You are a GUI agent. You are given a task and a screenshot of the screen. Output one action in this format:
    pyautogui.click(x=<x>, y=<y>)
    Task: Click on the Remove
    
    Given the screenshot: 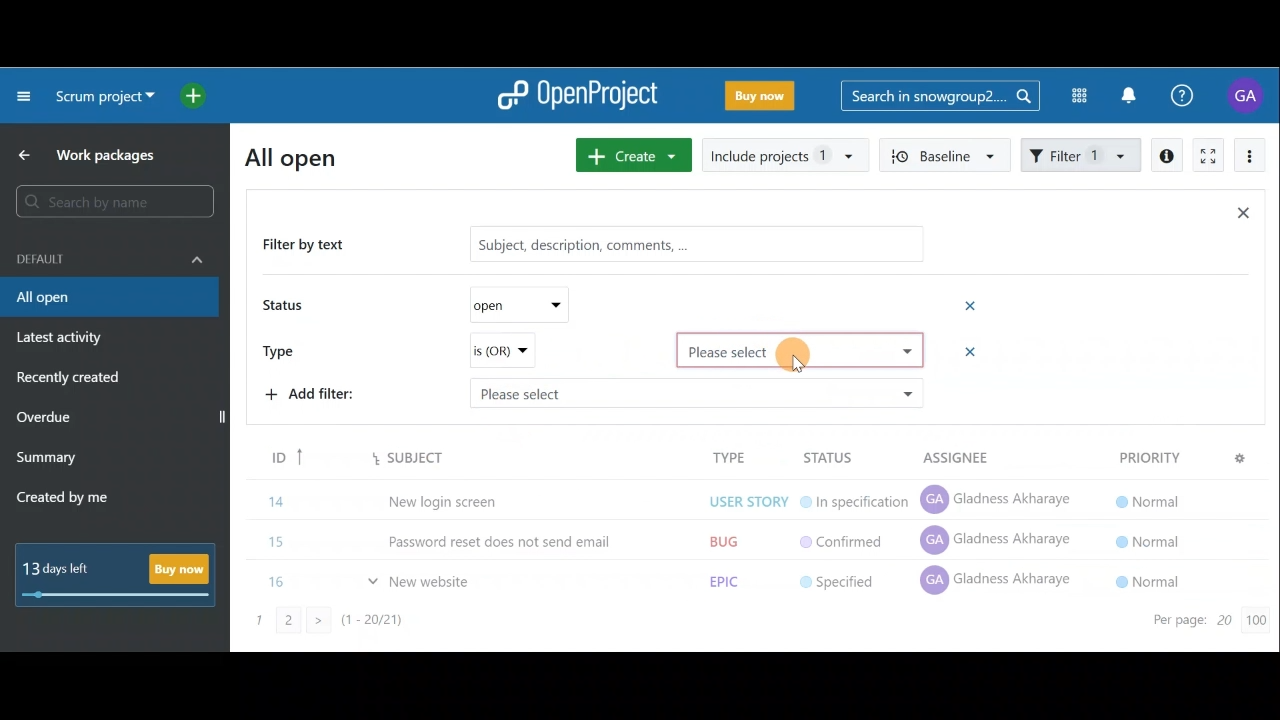 What is the action you would take?
    pyautogui.click(x=963, y=353)
    